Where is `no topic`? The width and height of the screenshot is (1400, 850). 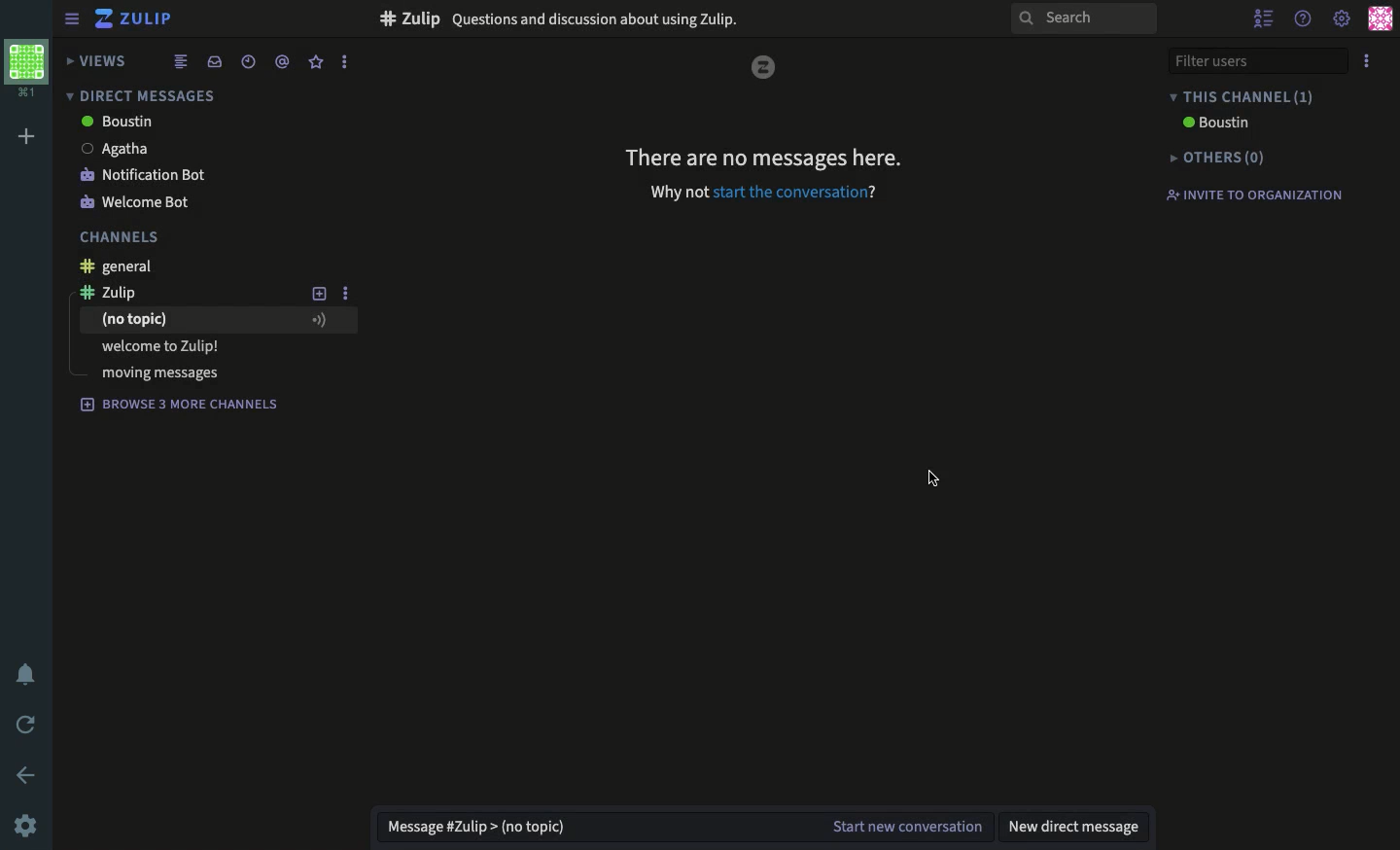 no topic is located at coordinates (216, 321).